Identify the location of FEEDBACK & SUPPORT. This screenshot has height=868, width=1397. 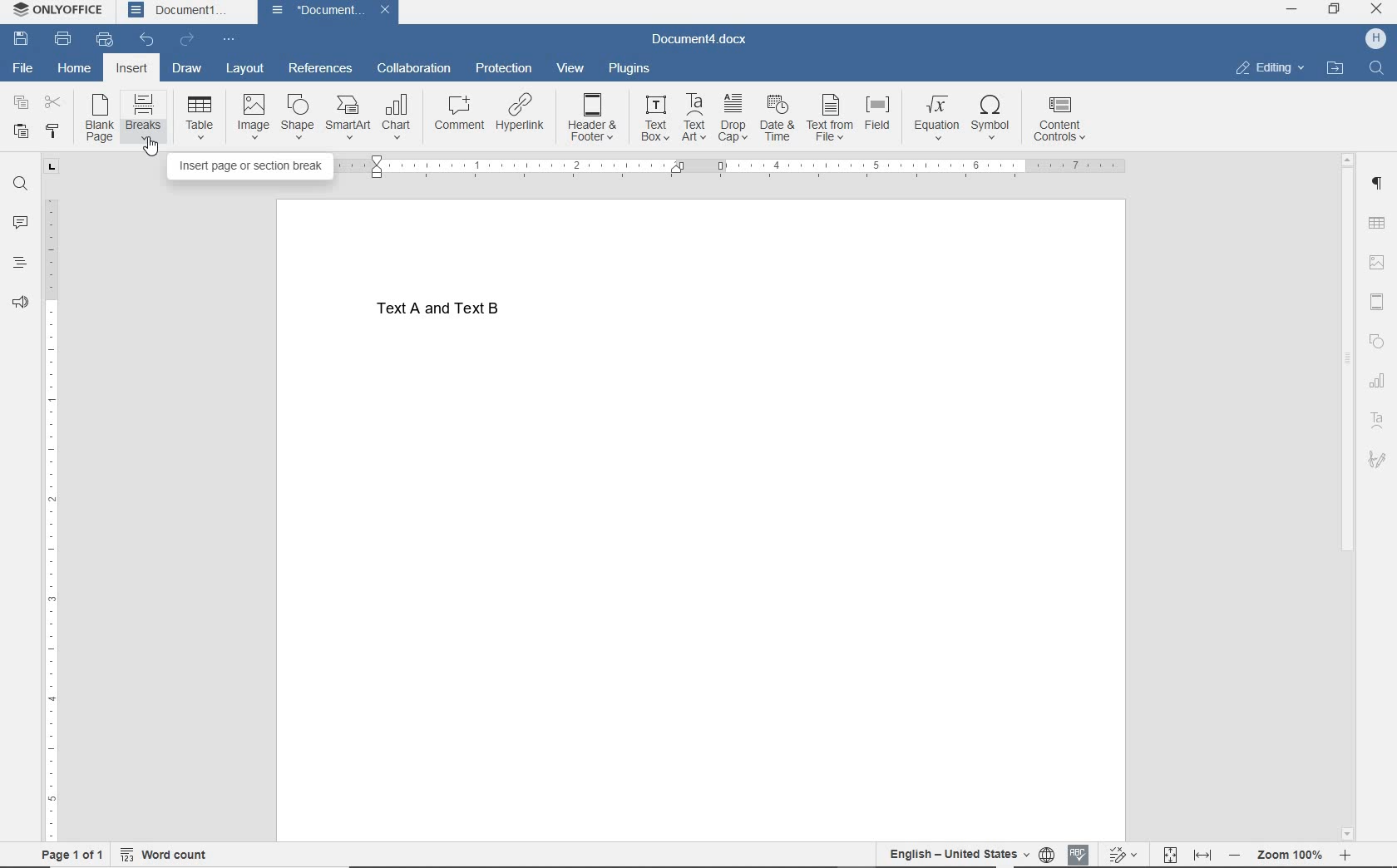
(19, 301).